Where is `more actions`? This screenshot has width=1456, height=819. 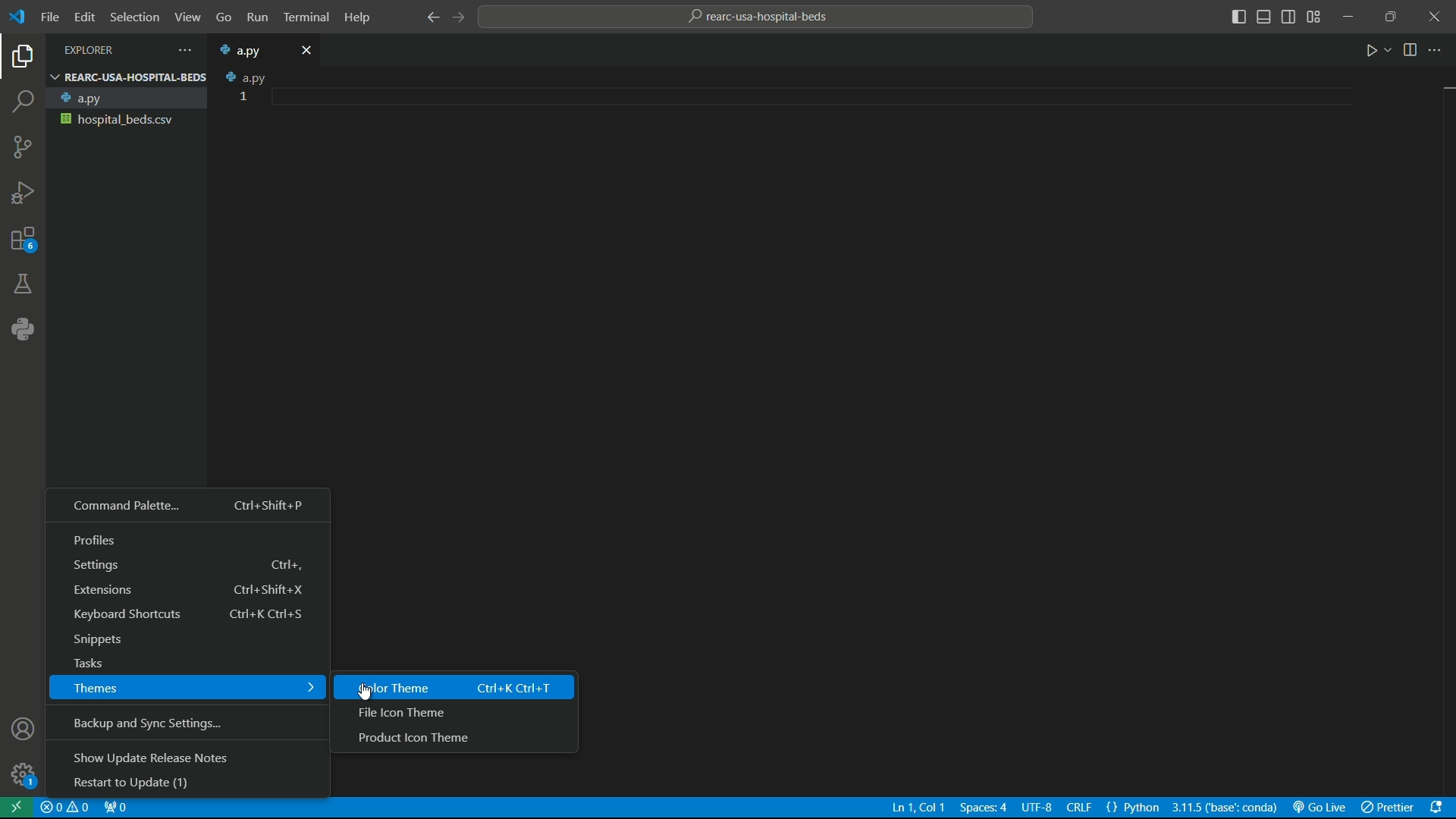
more actions is located at coordinates (1437, 50).